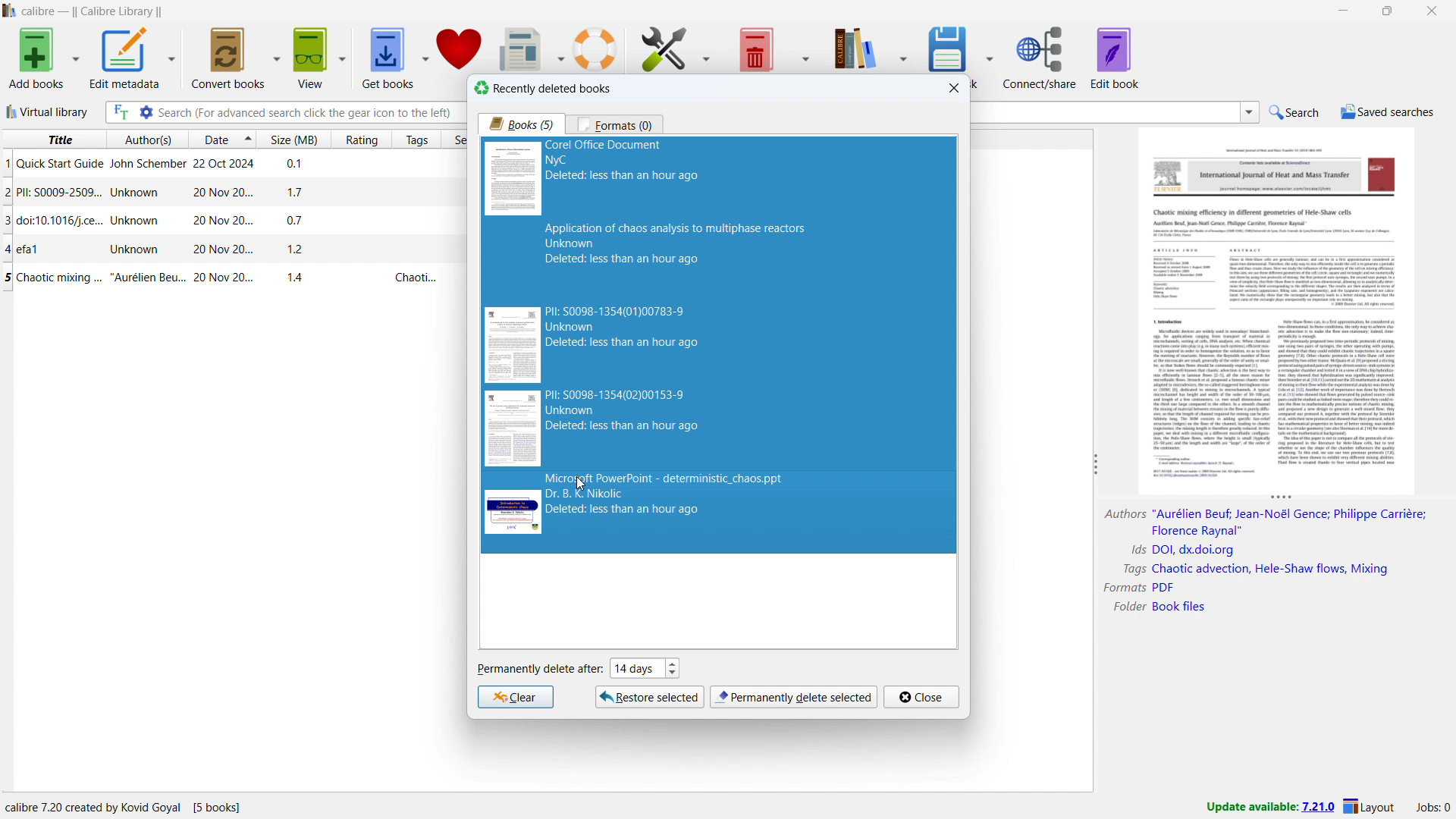  What do you see at coordinates (519, 47) in the screenshot?
I see `fetch news` at bounding box center [519, 47].